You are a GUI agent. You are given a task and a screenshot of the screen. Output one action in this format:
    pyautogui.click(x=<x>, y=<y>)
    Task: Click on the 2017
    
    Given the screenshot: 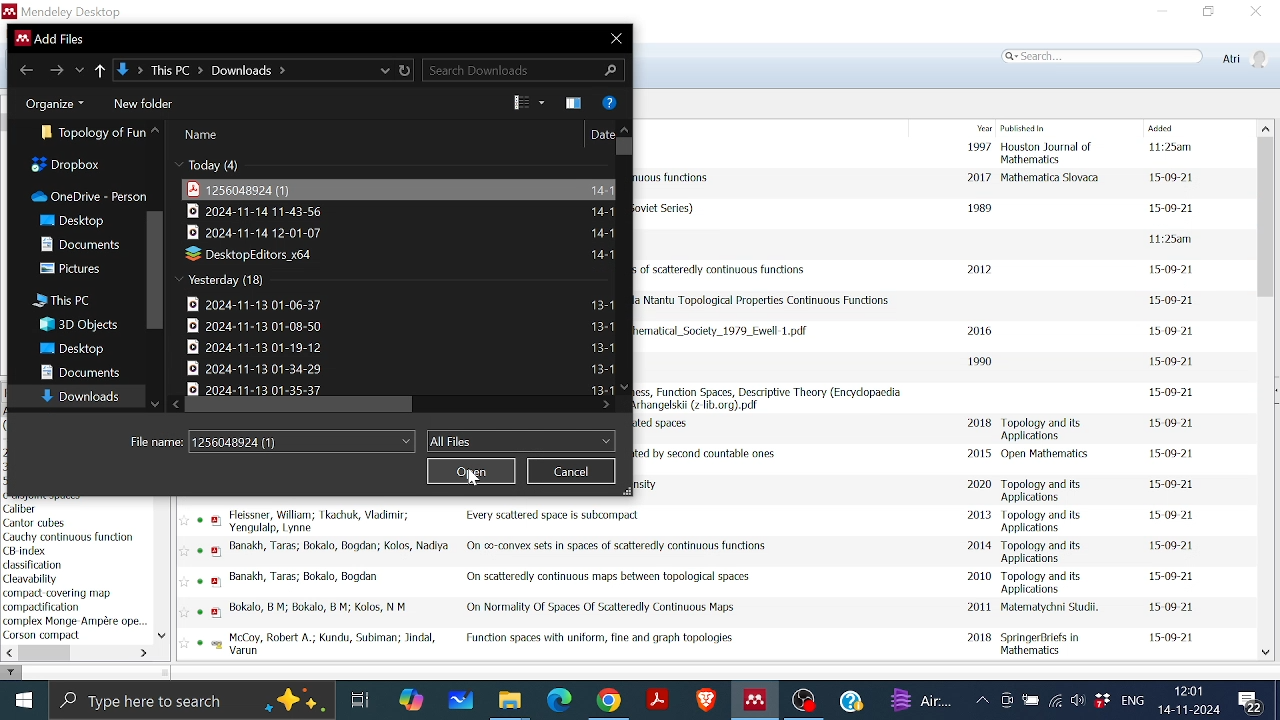 What is the action you would take?
    pyautogui.click(x=976, y=178)
    